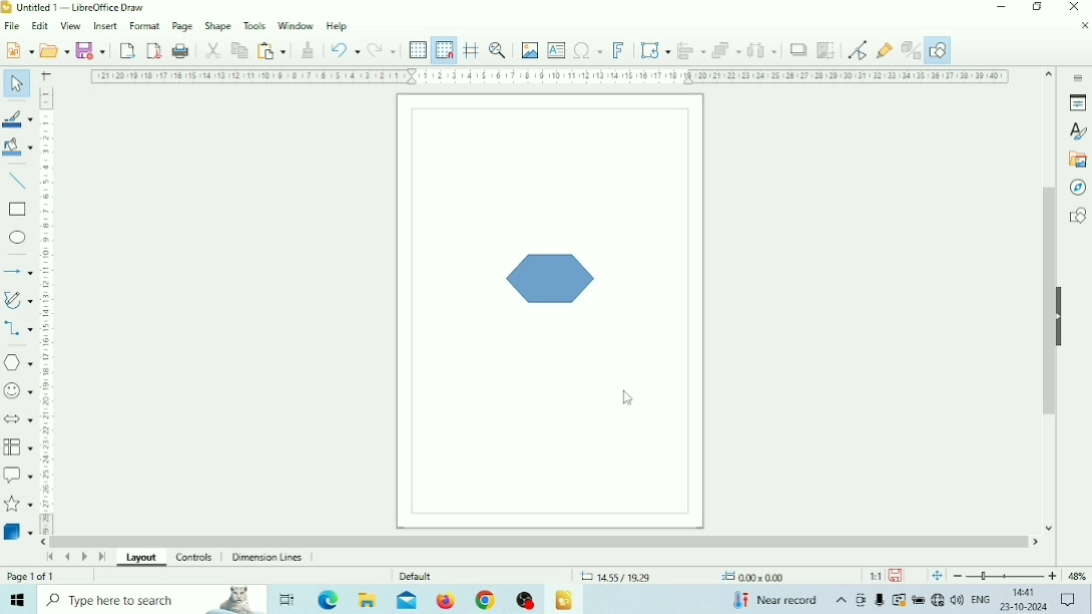 This screenshot has height=614, width=1092. I want to click on Open, so click(54, 50).